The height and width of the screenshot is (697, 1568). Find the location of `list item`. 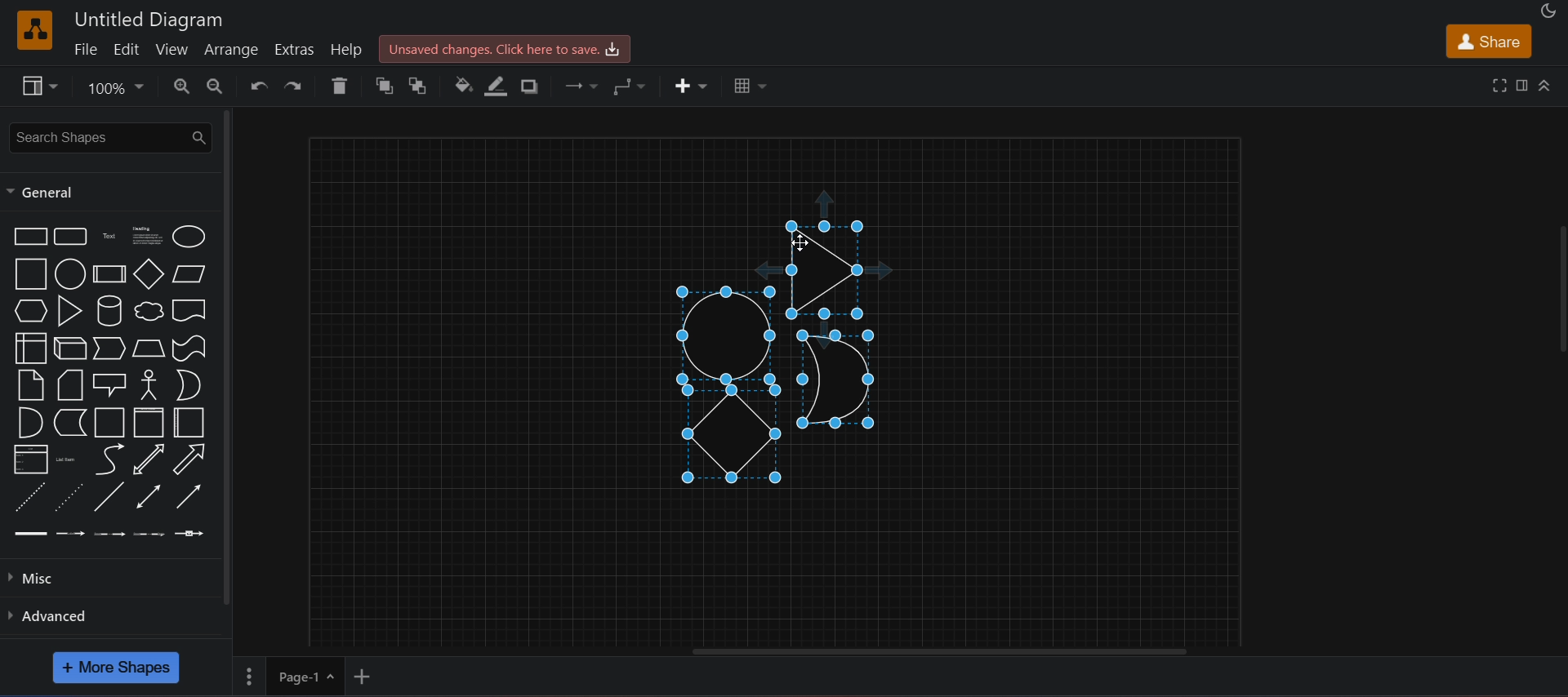

list item is located at coordinates (69, 459).